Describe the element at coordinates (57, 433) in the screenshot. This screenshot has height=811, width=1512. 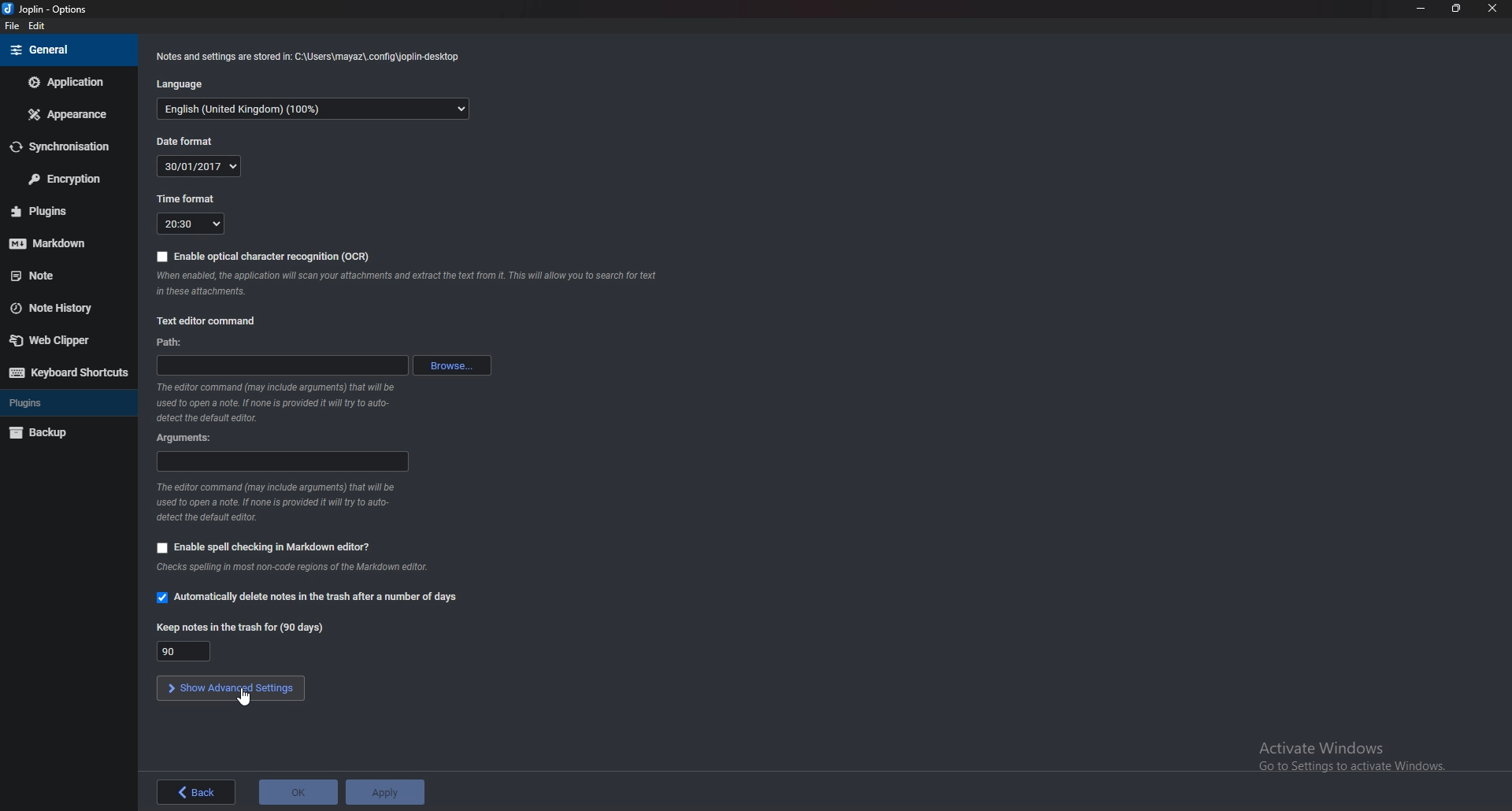
I see `Back up` at that location.